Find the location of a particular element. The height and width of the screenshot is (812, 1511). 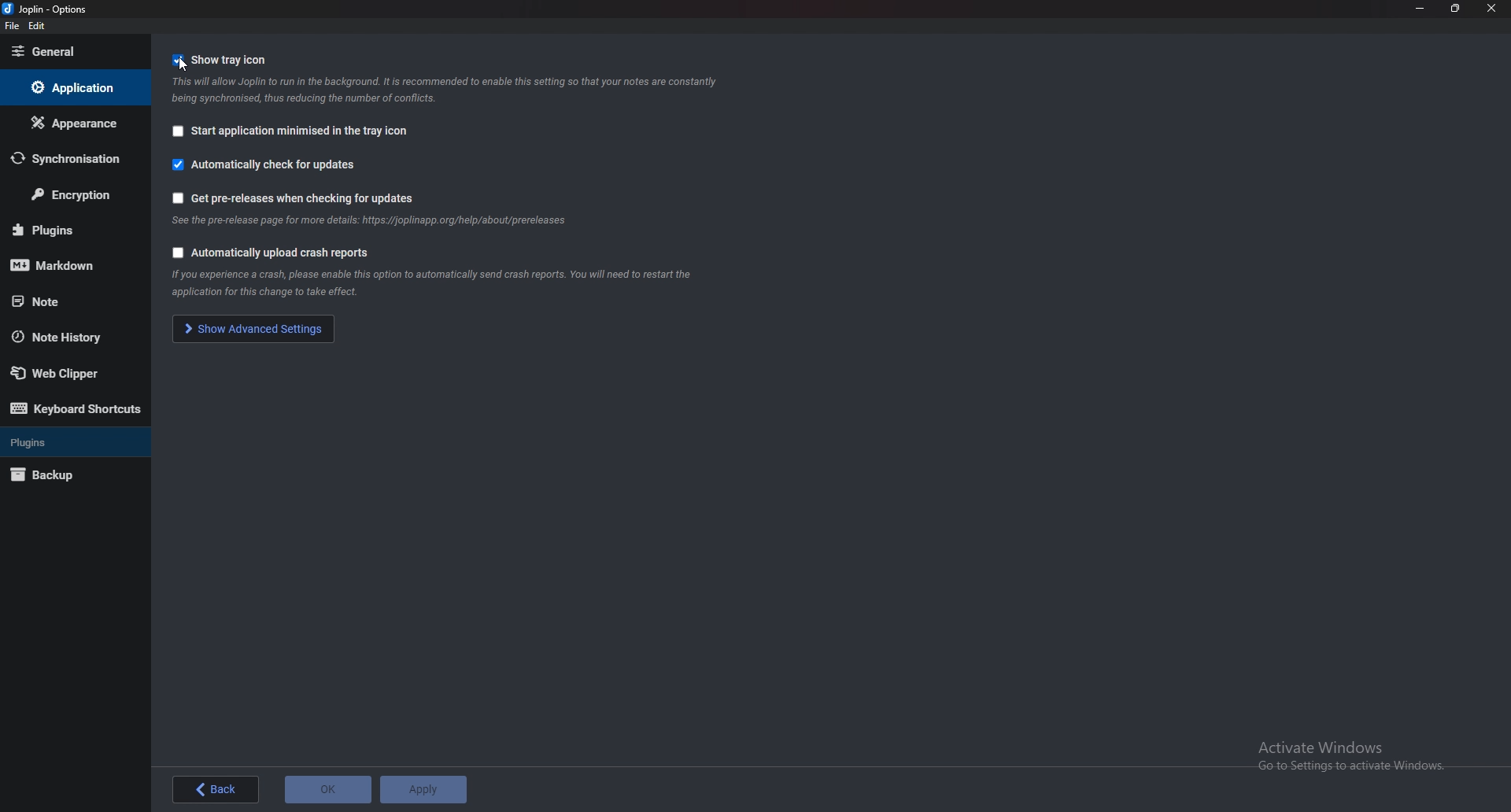

Automatically upload crash reports is located at coordinates (285, 253).